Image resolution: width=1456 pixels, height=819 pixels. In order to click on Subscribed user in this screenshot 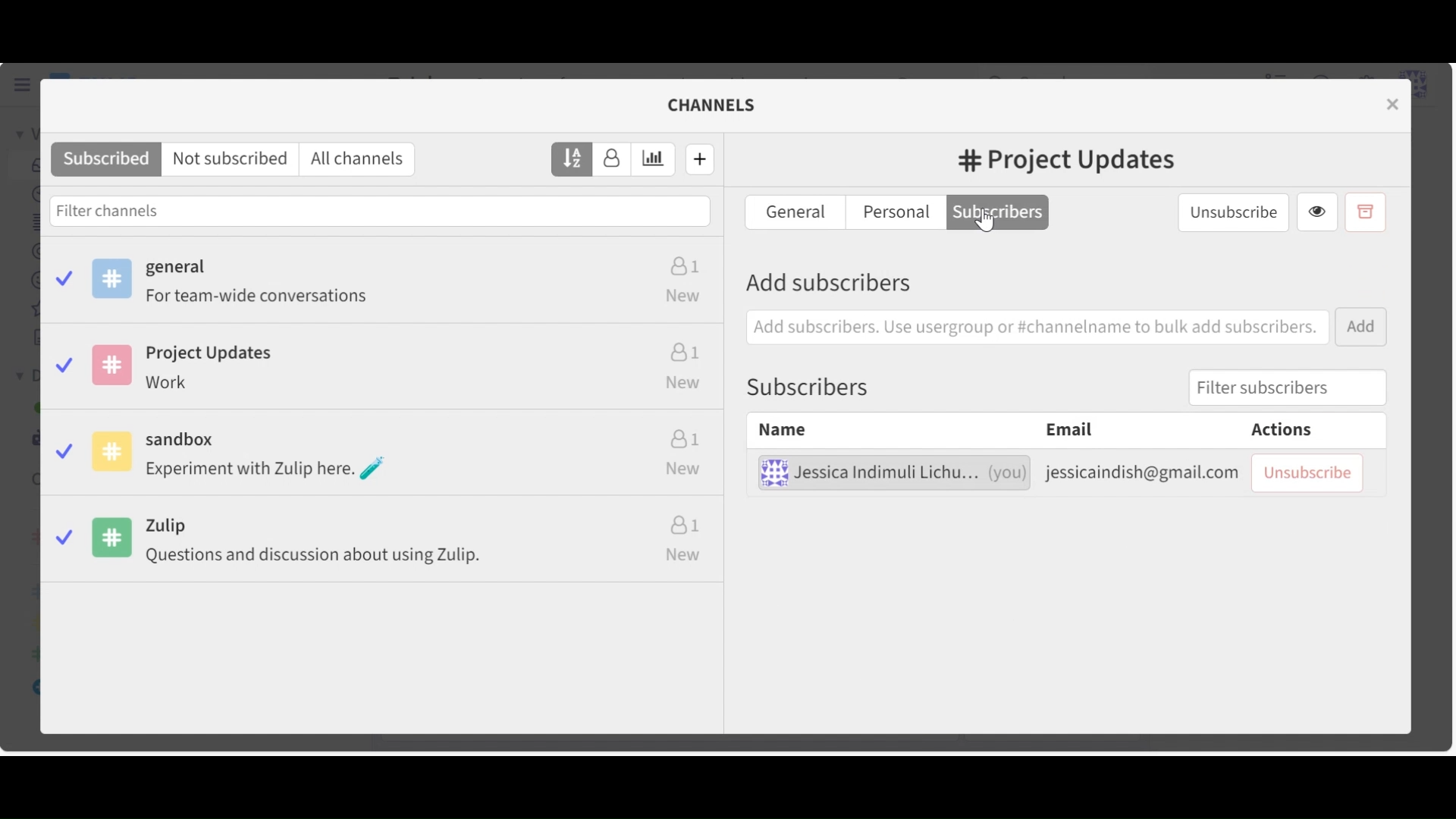, I will do `click(1057, 475)`.